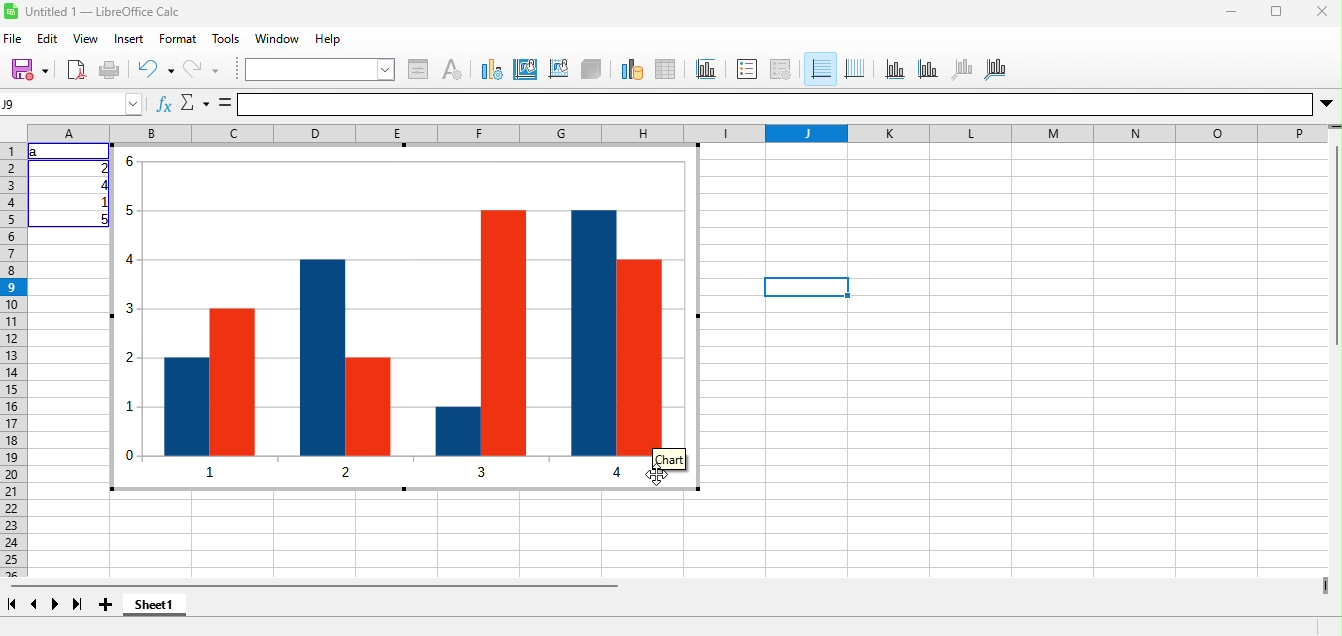 This screenshot has width=1342, height=636. Describe the element at coordinates (807, 287) in the screenshot. I see `Selected cell` at that location.